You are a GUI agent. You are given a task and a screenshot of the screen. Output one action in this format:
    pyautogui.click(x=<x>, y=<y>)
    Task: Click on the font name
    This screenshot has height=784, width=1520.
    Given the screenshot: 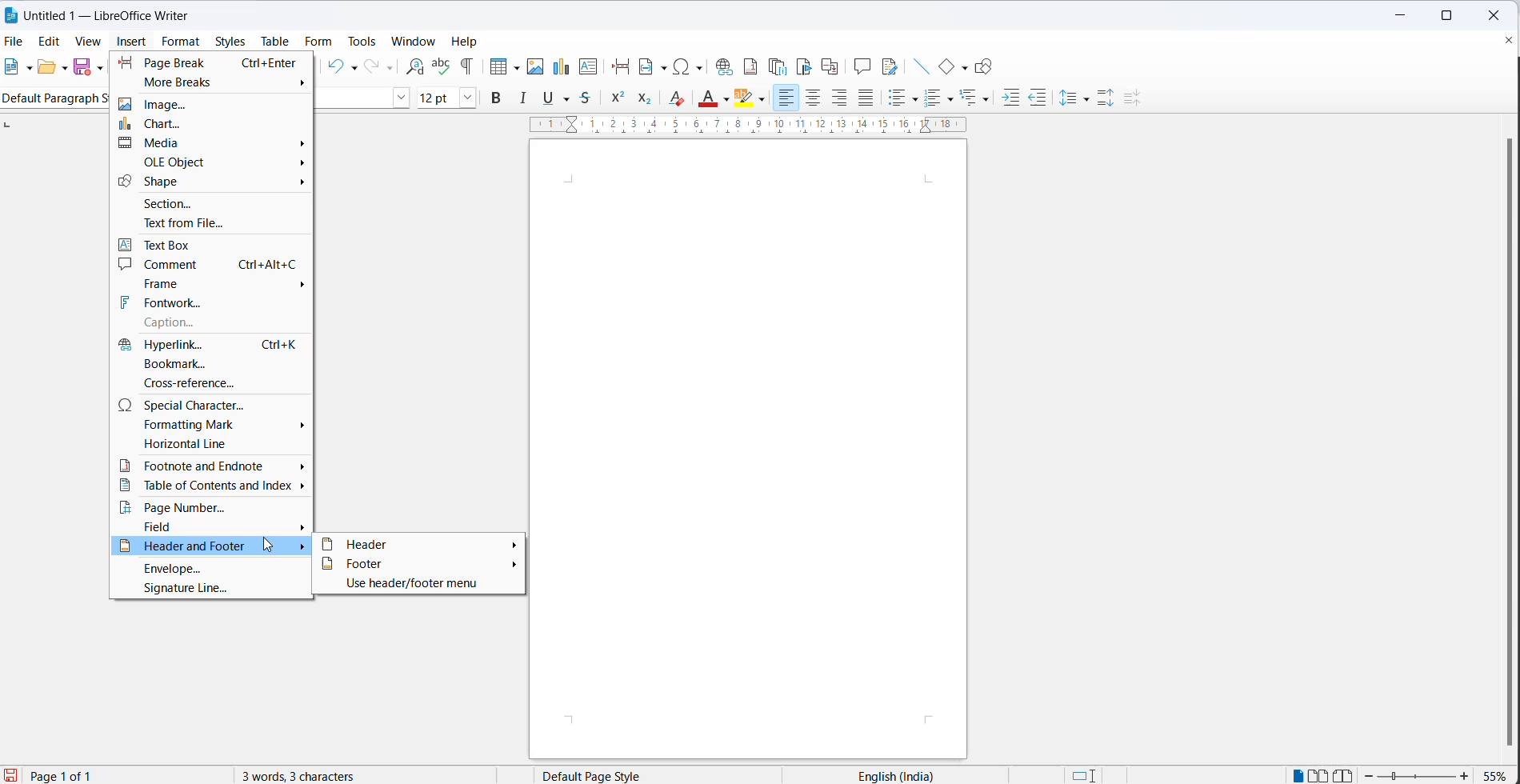 What is the action you would take?
    pyautogui.click(x=352, y=98)
    